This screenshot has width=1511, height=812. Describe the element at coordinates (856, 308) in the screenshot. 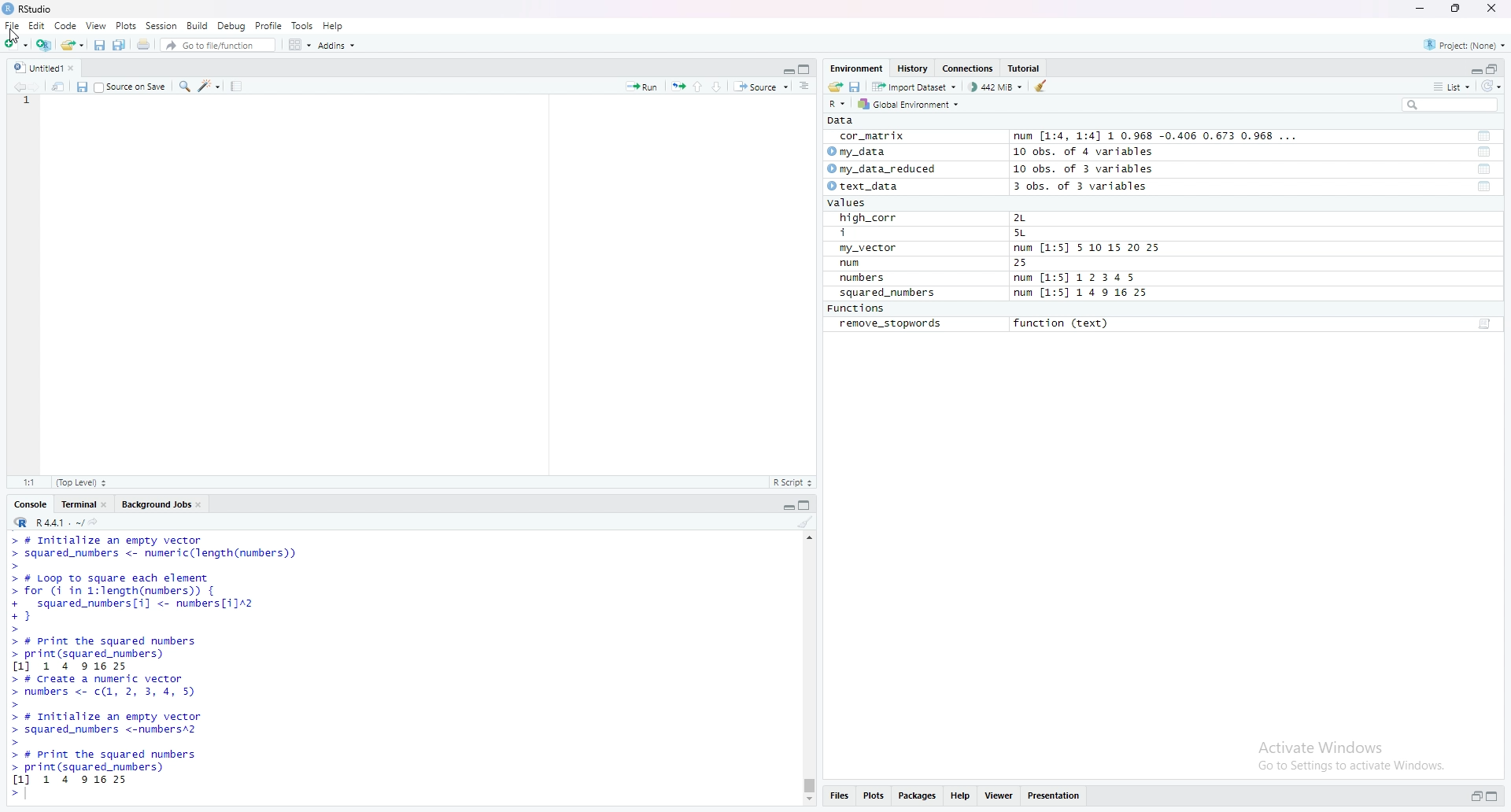

I see `Functions` at that location.